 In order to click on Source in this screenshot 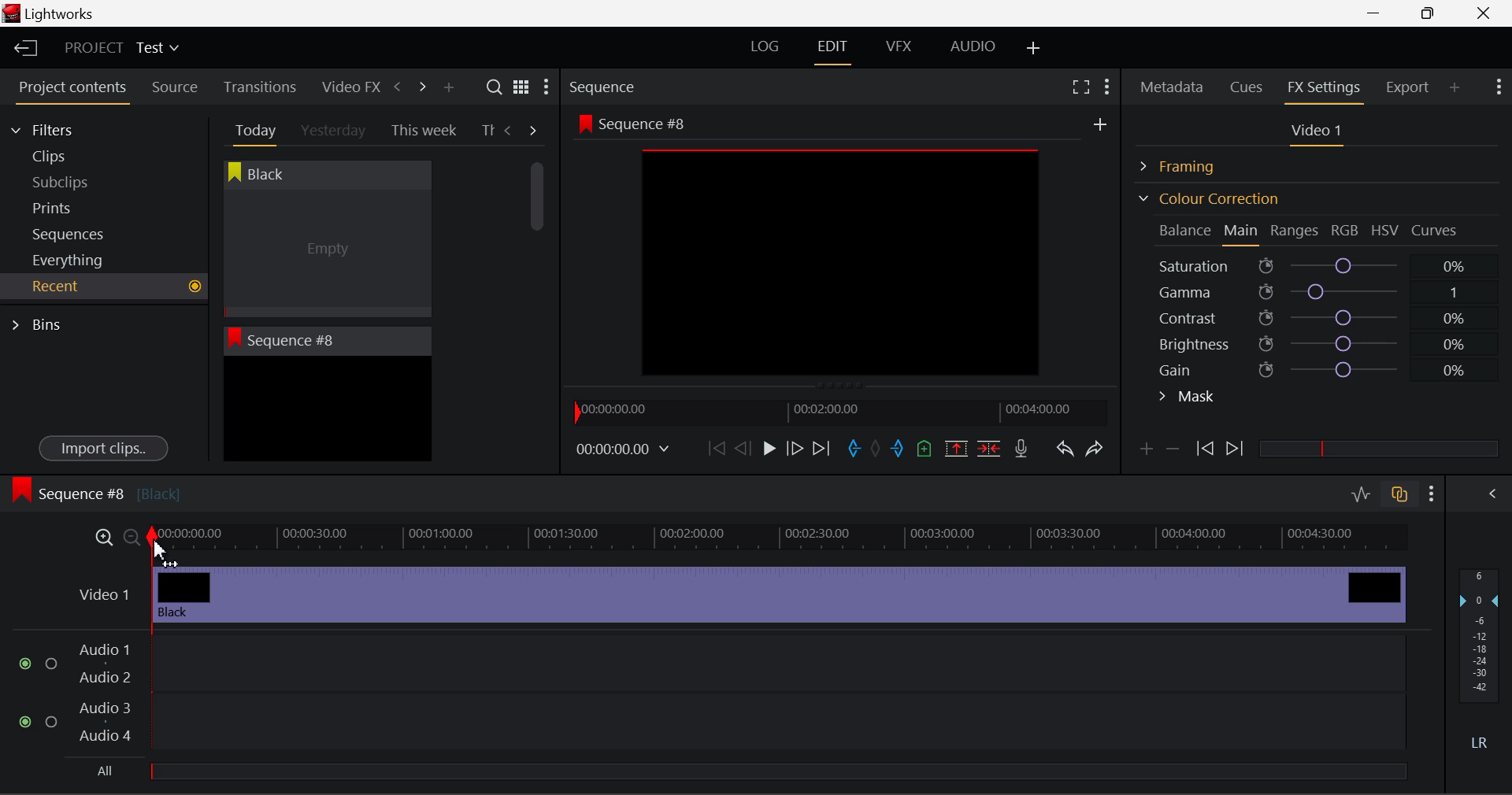, I will do `click(175, 87)`.